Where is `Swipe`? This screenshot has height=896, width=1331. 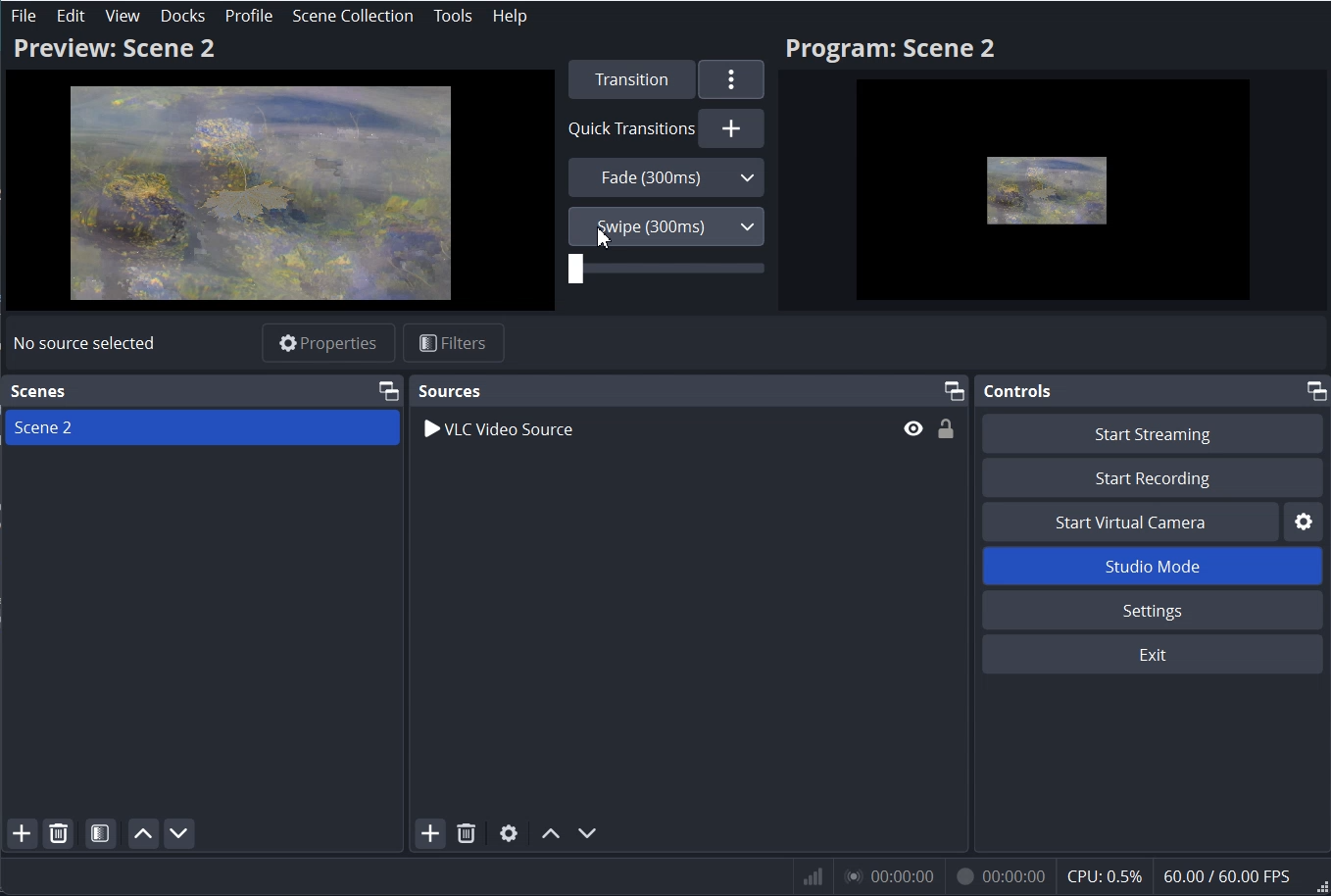
Swipe is located at coordinates (665, 225).